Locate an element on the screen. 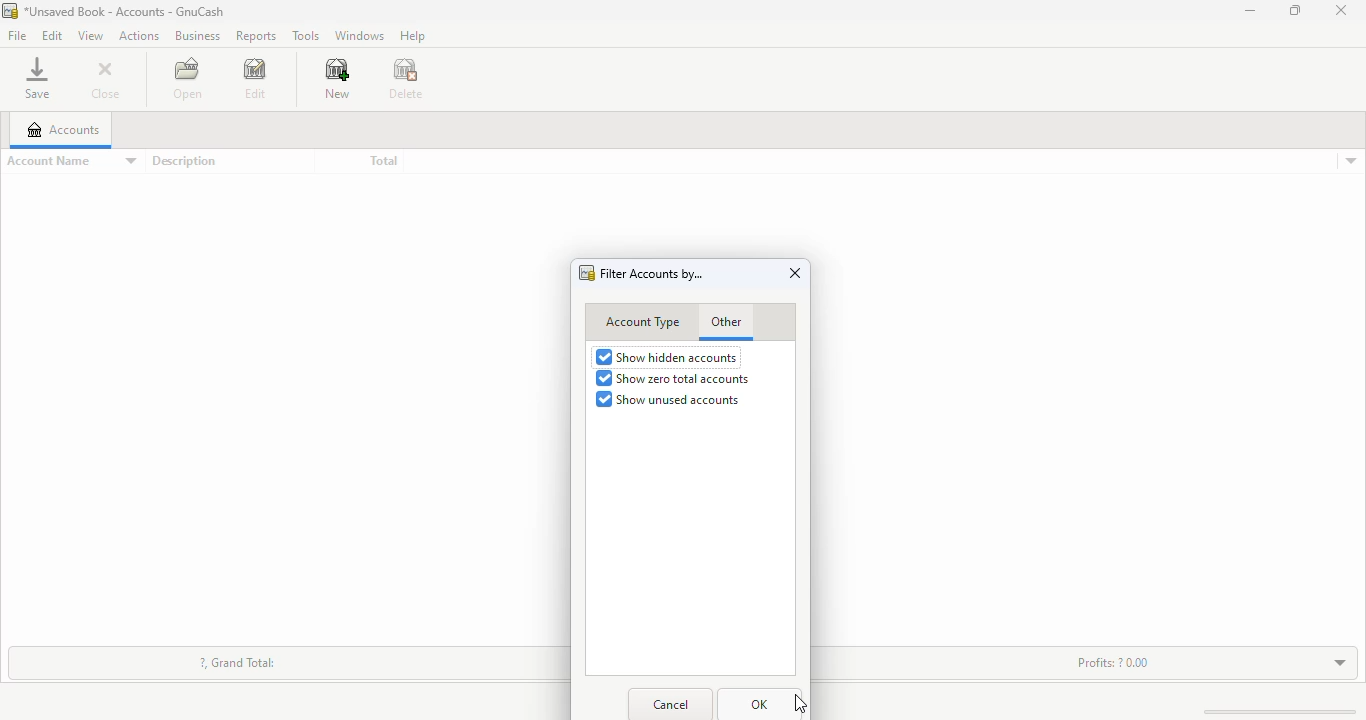  cancel is located at coordinates (673, 705).